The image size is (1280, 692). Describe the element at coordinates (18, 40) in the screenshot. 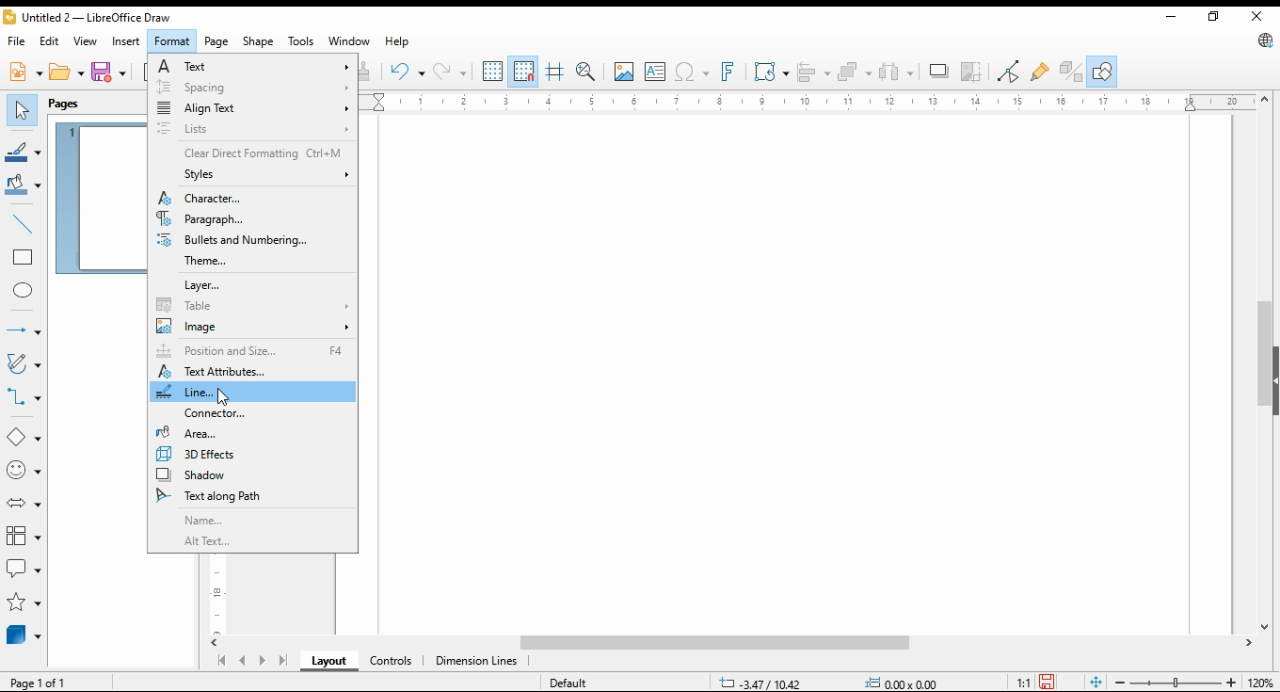

I see `file` at that location.